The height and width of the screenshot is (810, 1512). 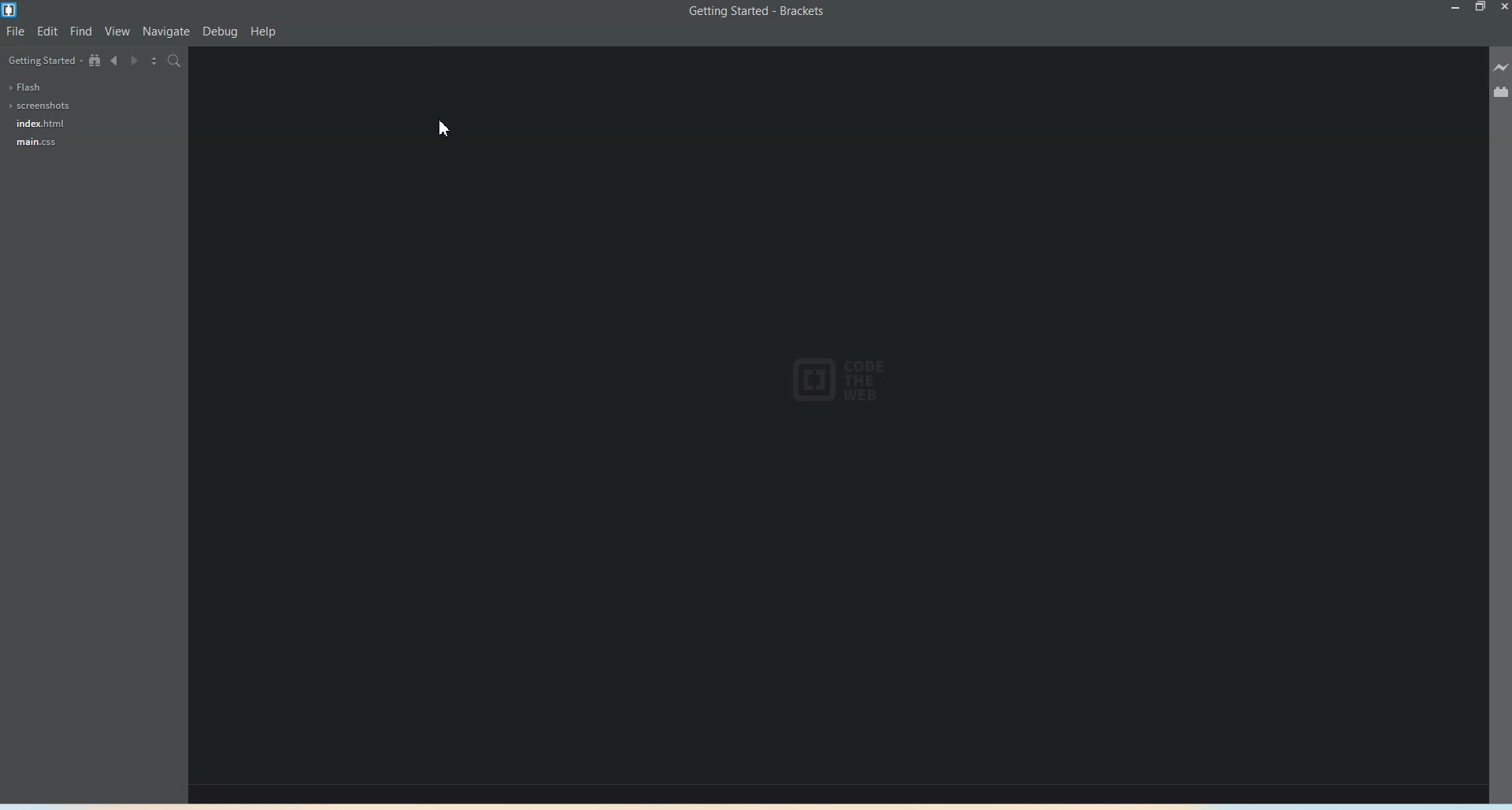 What do you see at coordinates (16, 32) in the screenshot?
I see `File` at bounding box center [16, 32].